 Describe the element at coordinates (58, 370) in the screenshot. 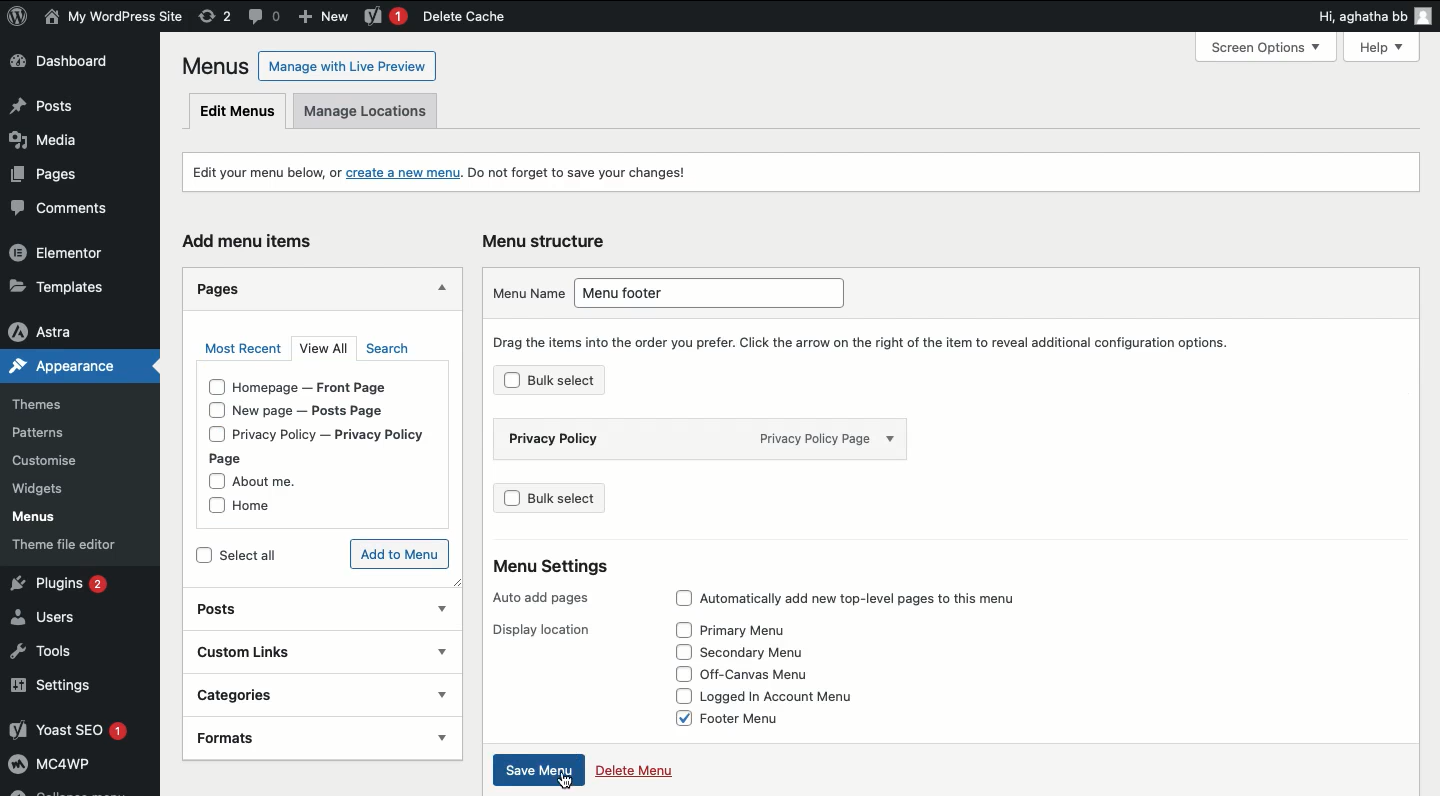

I see `Appearance` at that location.